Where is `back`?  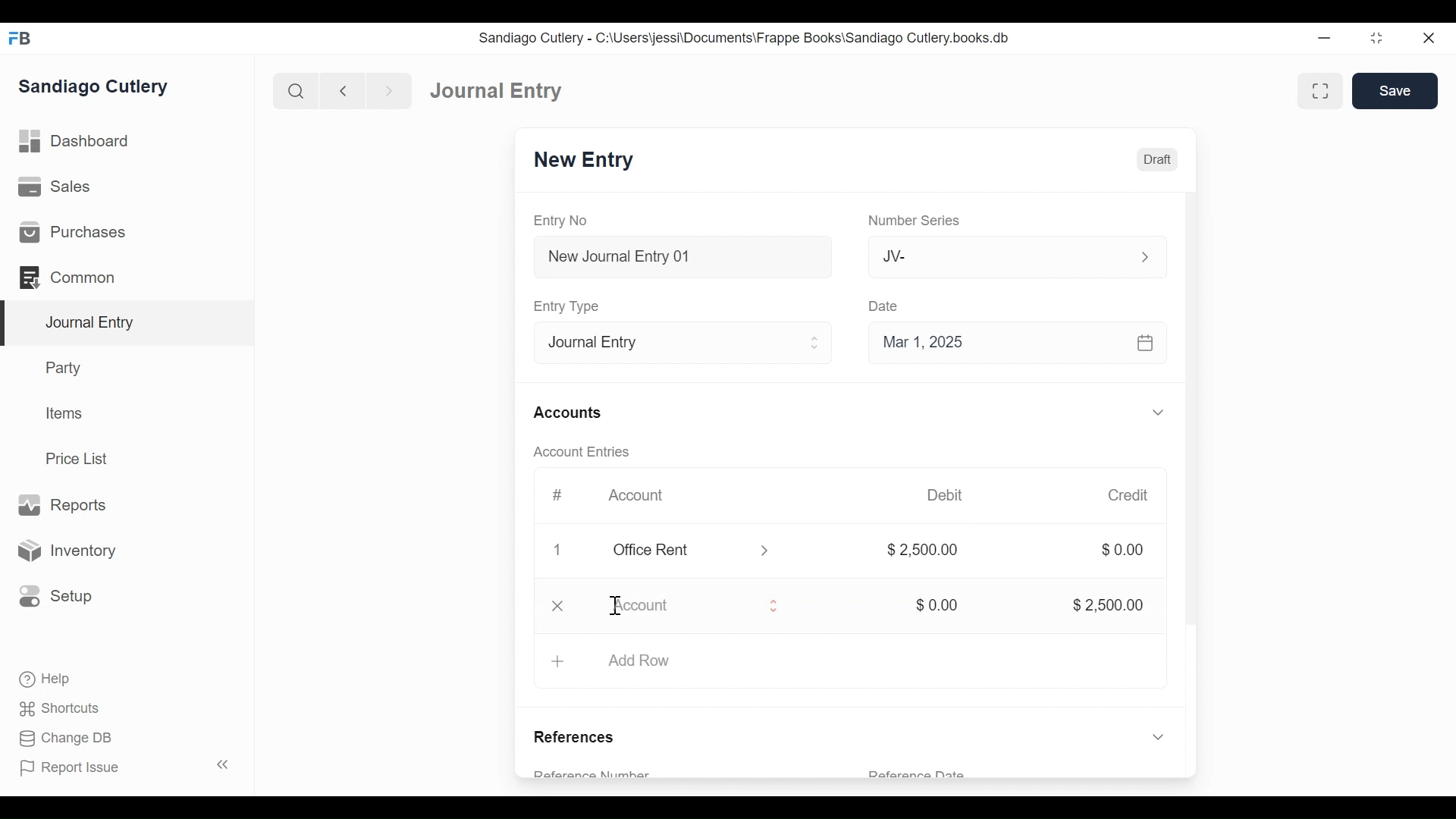
back is located at coordinates (343, 89).